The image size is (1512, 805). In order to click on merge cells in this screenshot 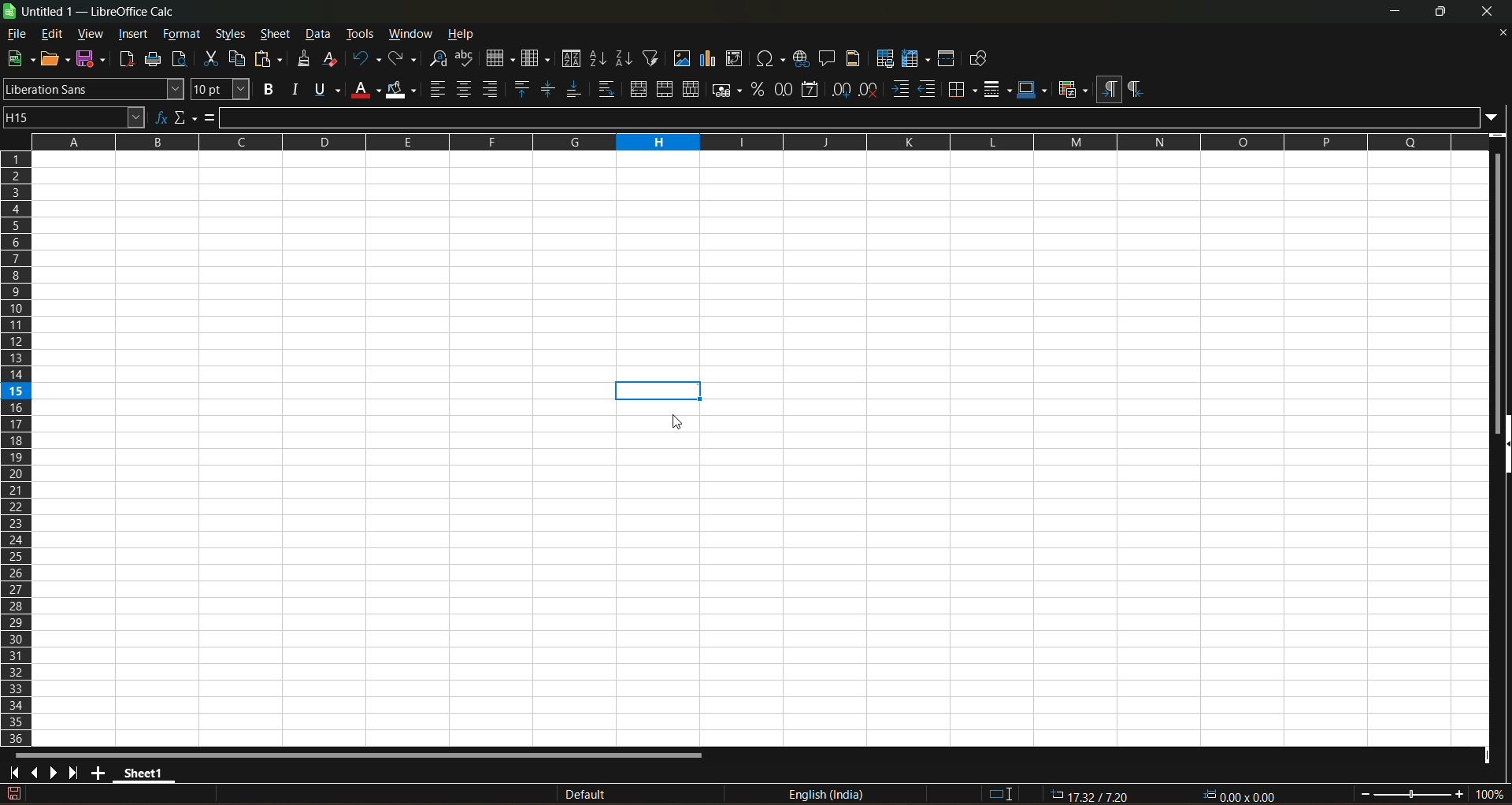, I will do `click(666, 90)`.